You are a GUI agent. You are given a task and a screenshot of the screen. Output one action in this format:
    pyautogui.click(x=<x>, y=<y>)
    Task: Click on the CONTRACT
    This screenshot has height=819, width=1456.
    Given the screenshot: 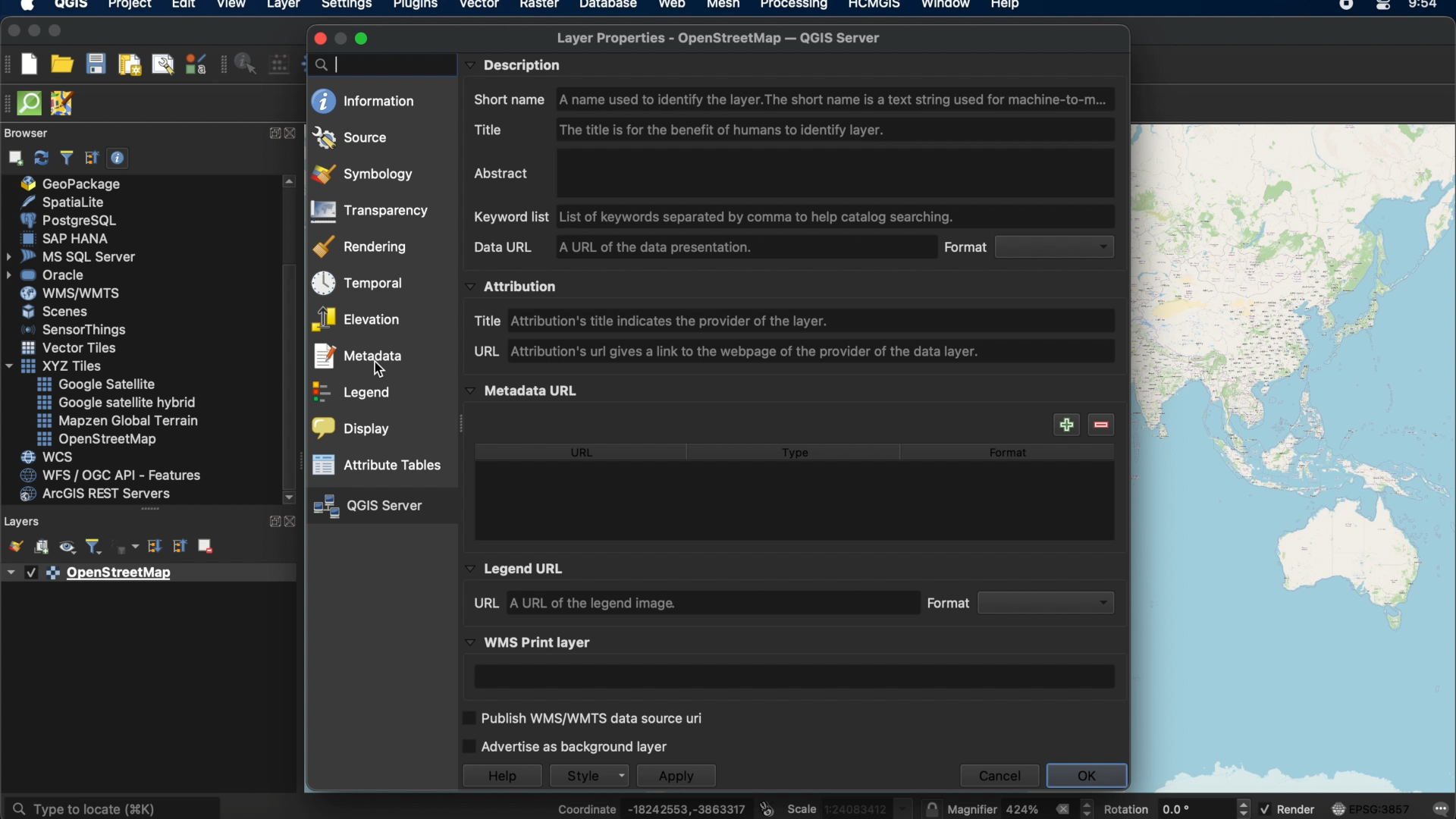 What is the action you would take?
    pyautogui.click(x=292, y=134)
    